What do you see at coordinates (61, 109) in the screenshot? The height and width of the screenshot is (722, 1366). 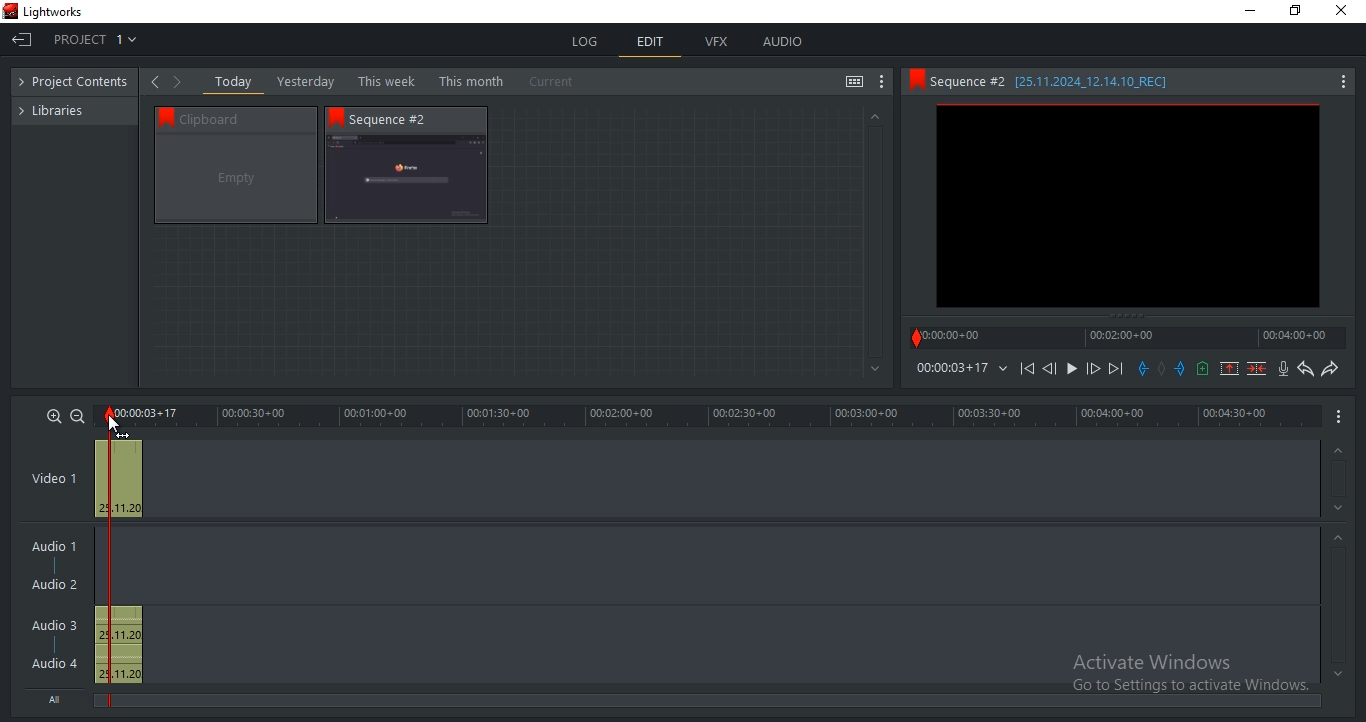 I see `libraries` at bounding box center [61, 109].